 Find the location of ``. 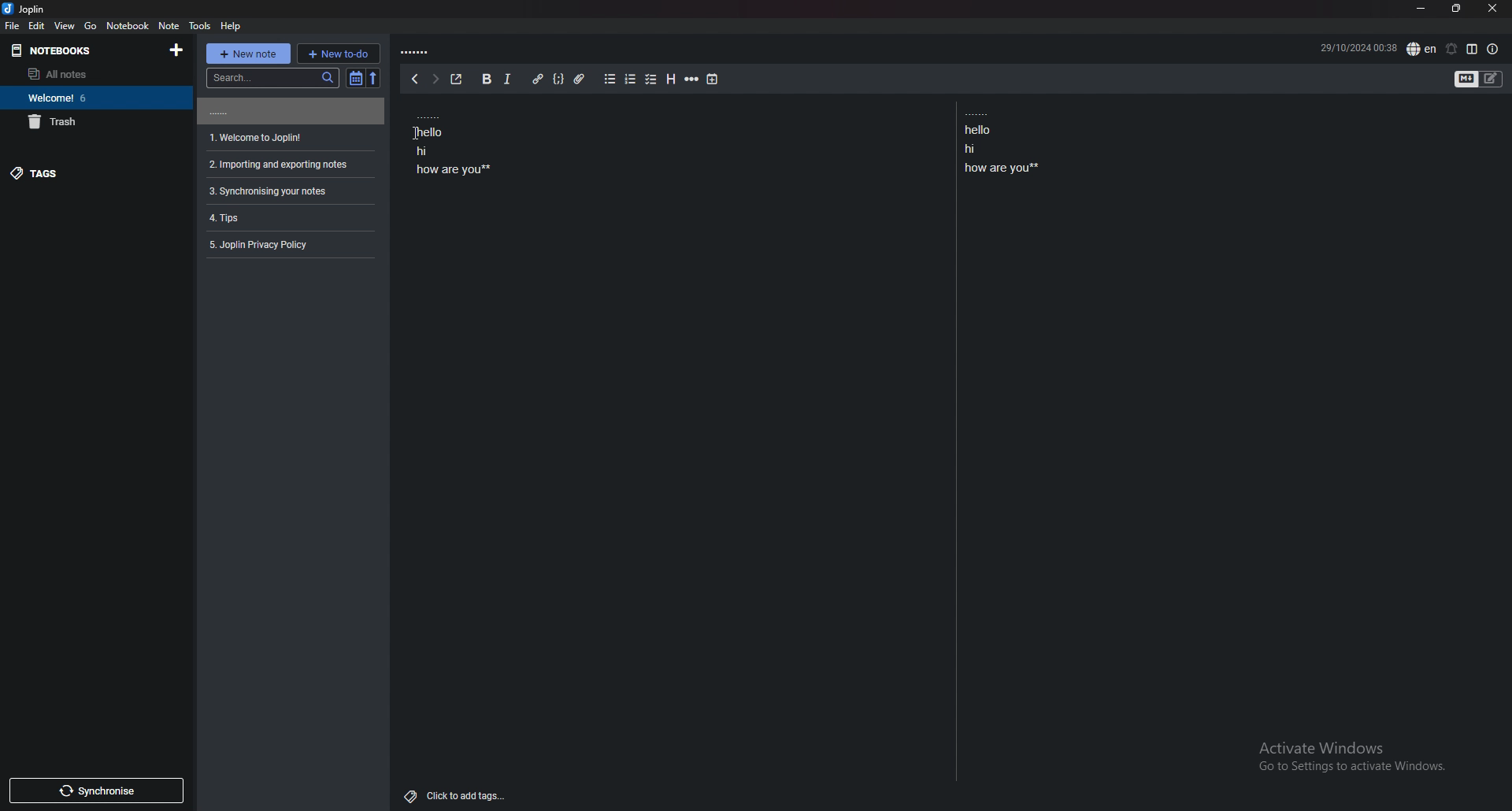

 is located at coordinates (1345, 760).